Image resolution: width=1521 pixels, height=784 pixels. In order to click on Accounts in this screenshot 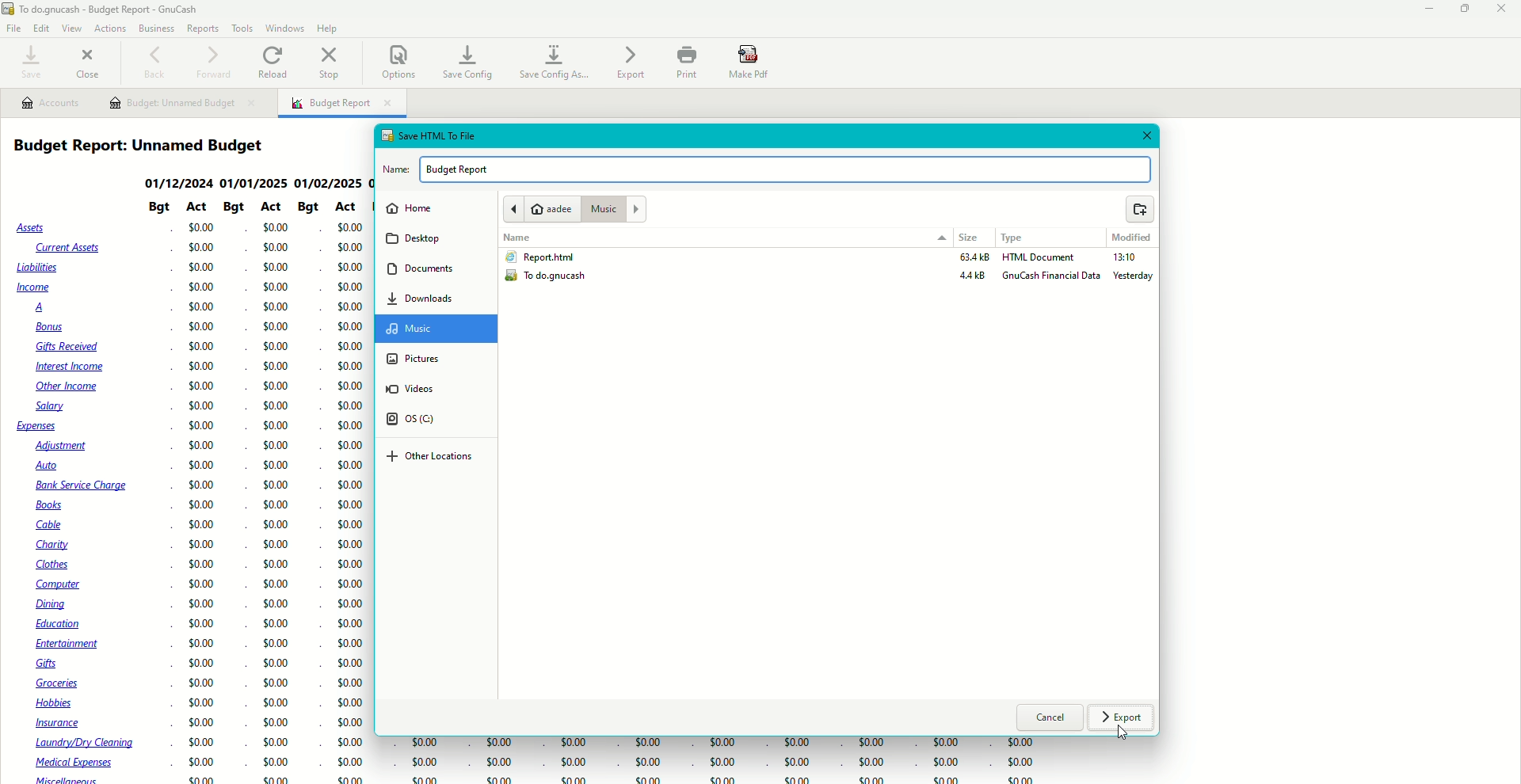, I will do `click(50, 103)`.